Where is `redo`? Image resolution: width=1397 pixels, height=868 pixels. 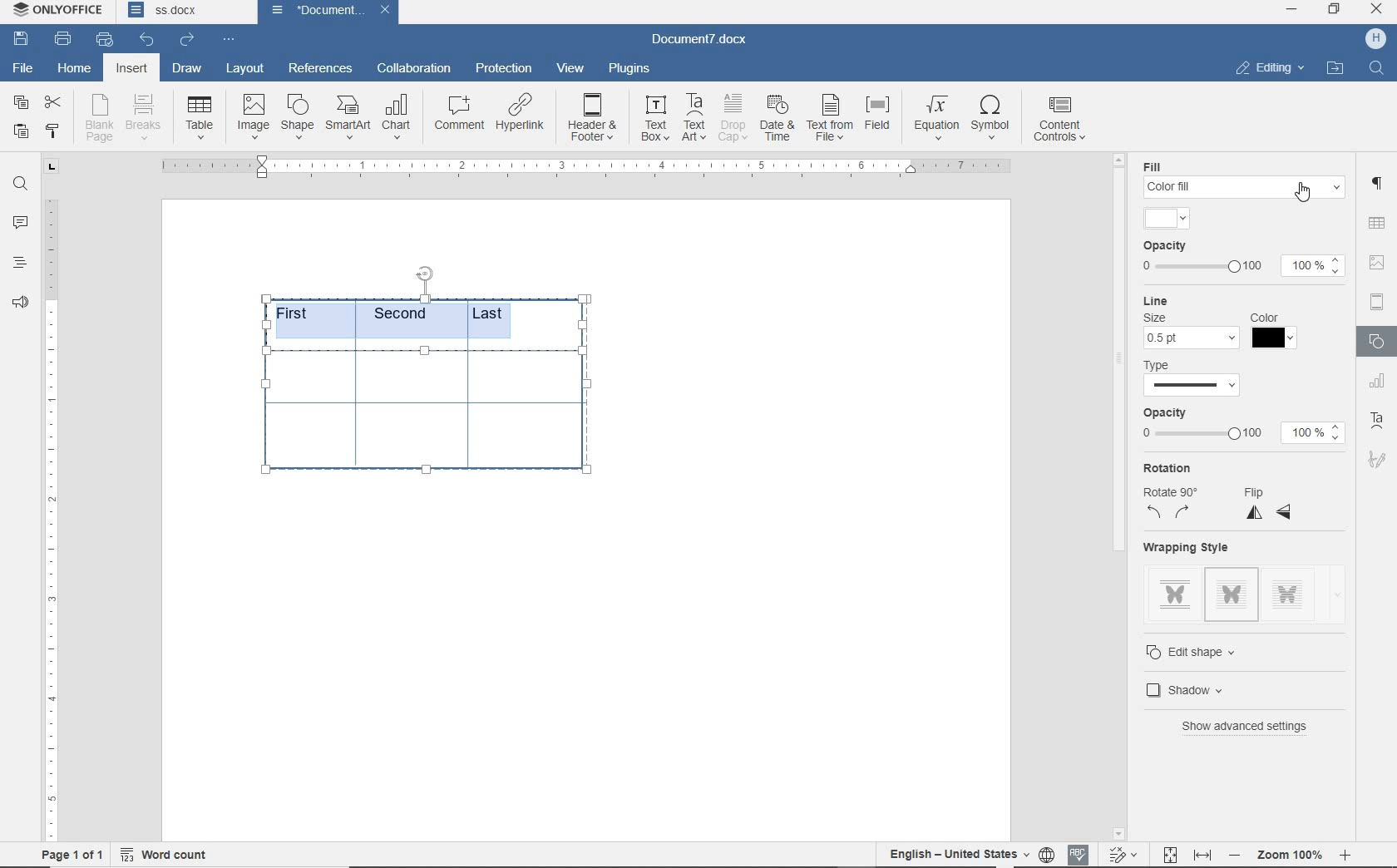
redo is located at coordinates (186, 39).